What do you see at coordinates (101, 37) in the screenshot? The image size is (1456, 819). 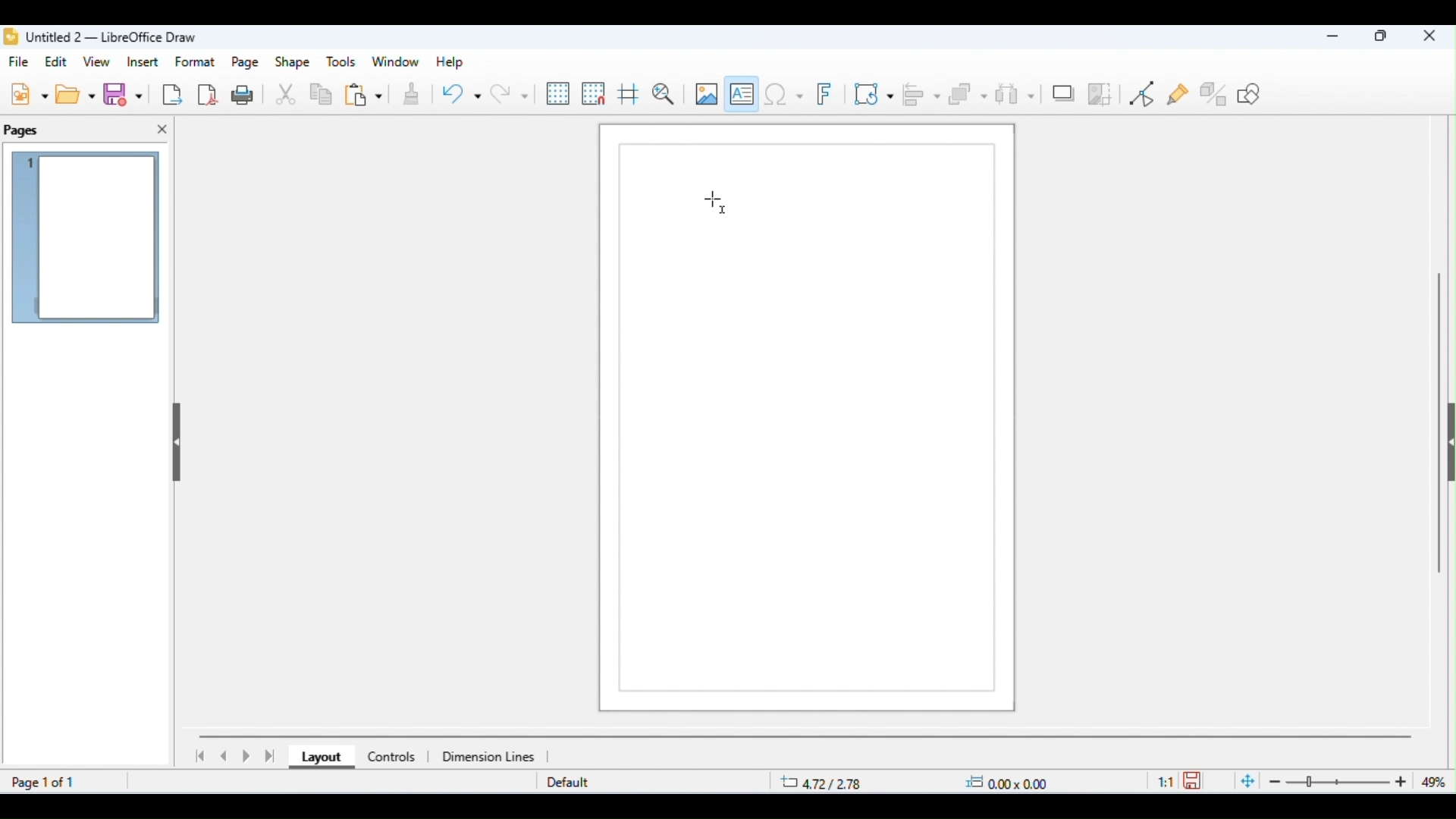 I see `title` at bounding box center [101, 37].